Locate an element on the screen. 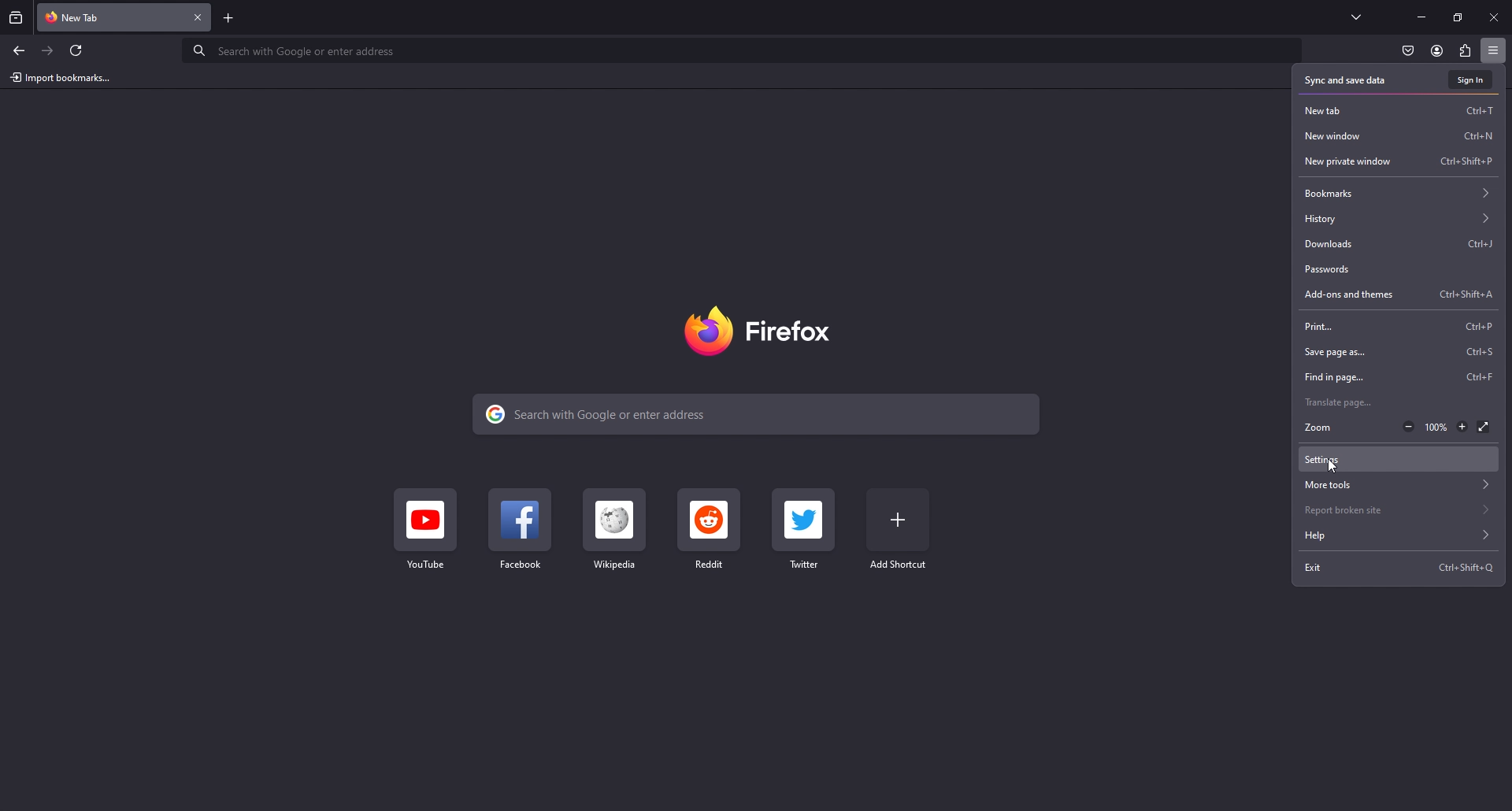  bookmarks is located at coordinates (1399, 192).